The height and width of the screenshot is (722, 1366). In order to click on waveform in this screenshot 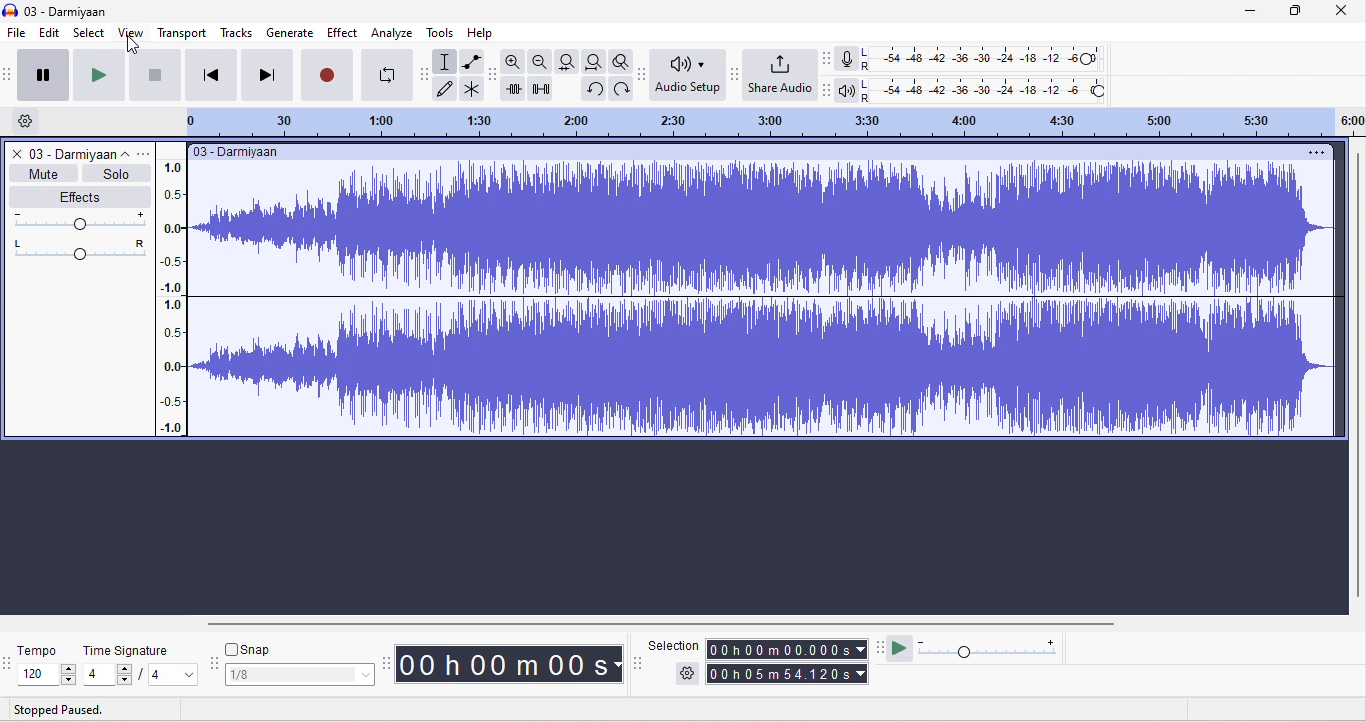, I will do `click(768, 300)`.